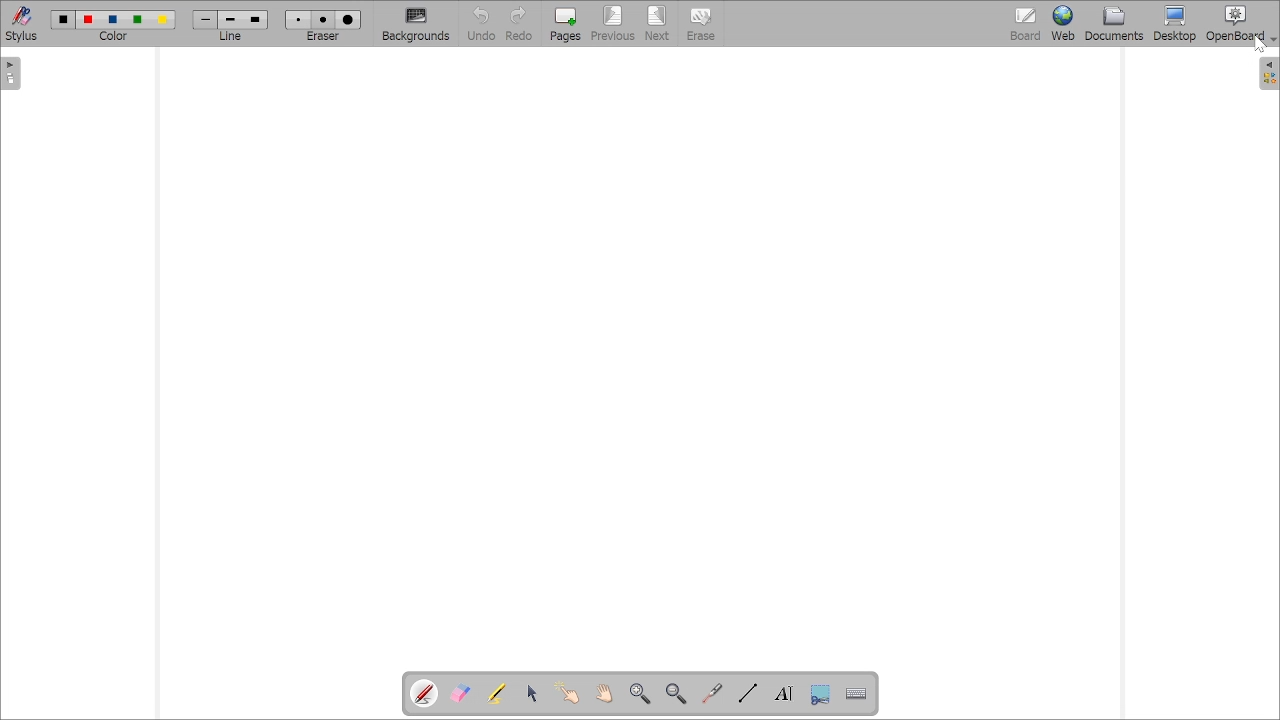  I want to click on show sidebar, so click(11, 73).